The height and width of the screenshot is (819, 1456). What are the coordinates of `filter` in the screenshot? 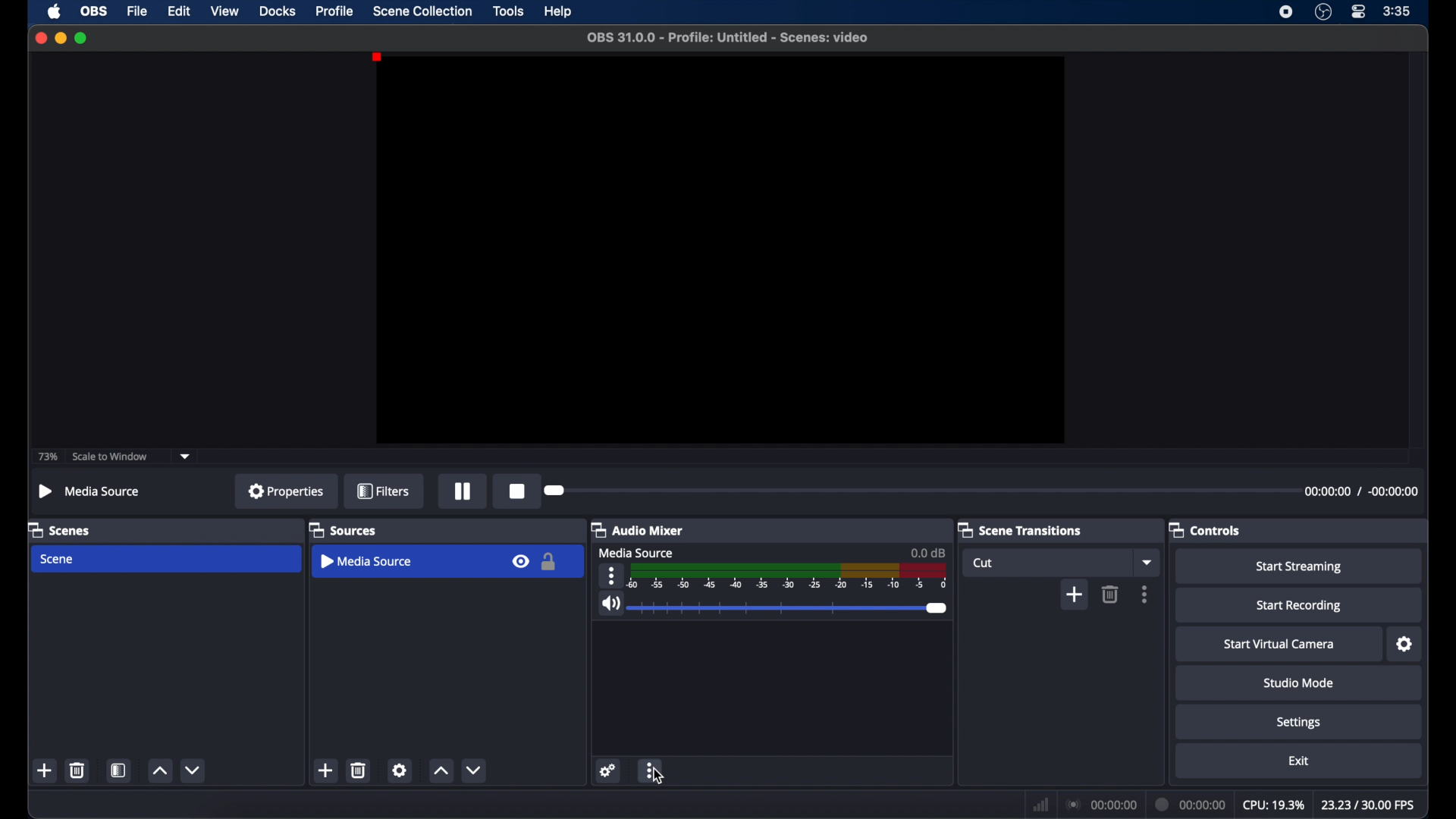 It's located at (383, 490).